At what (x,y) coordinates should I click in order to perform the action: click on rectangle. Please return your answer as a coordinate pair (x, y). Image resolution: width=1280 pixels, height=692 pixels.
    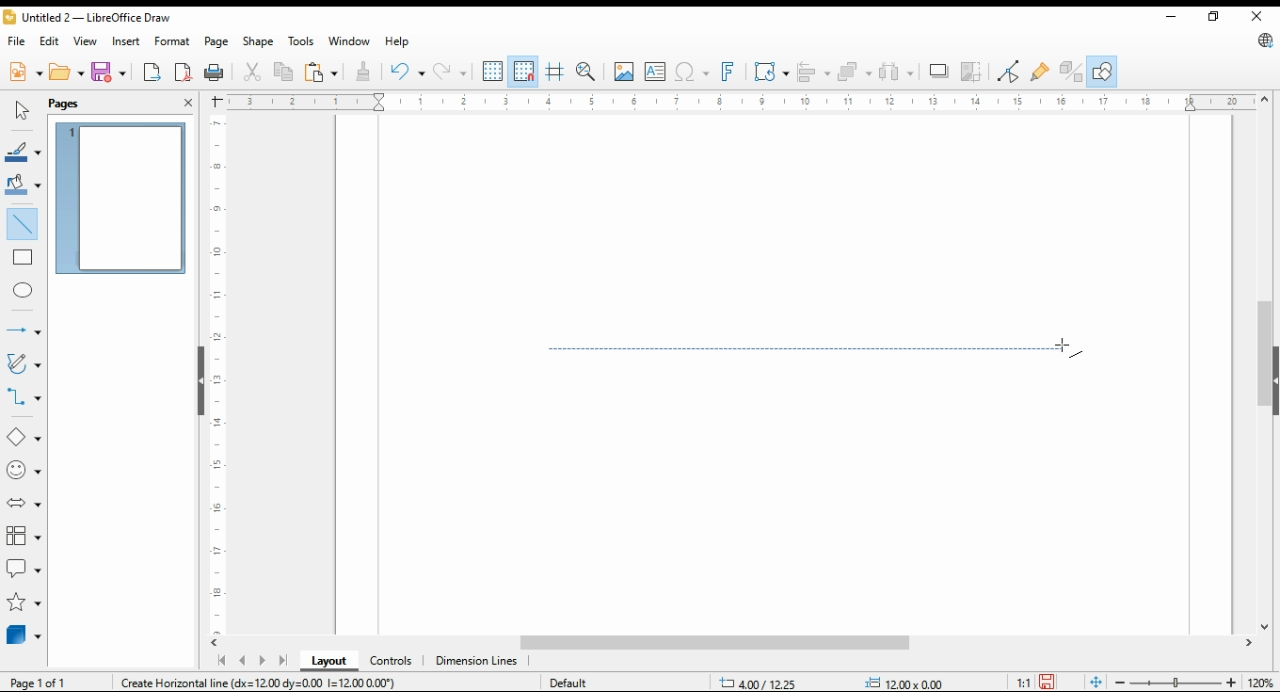
    Looking at the image, I should click on (22, 256).